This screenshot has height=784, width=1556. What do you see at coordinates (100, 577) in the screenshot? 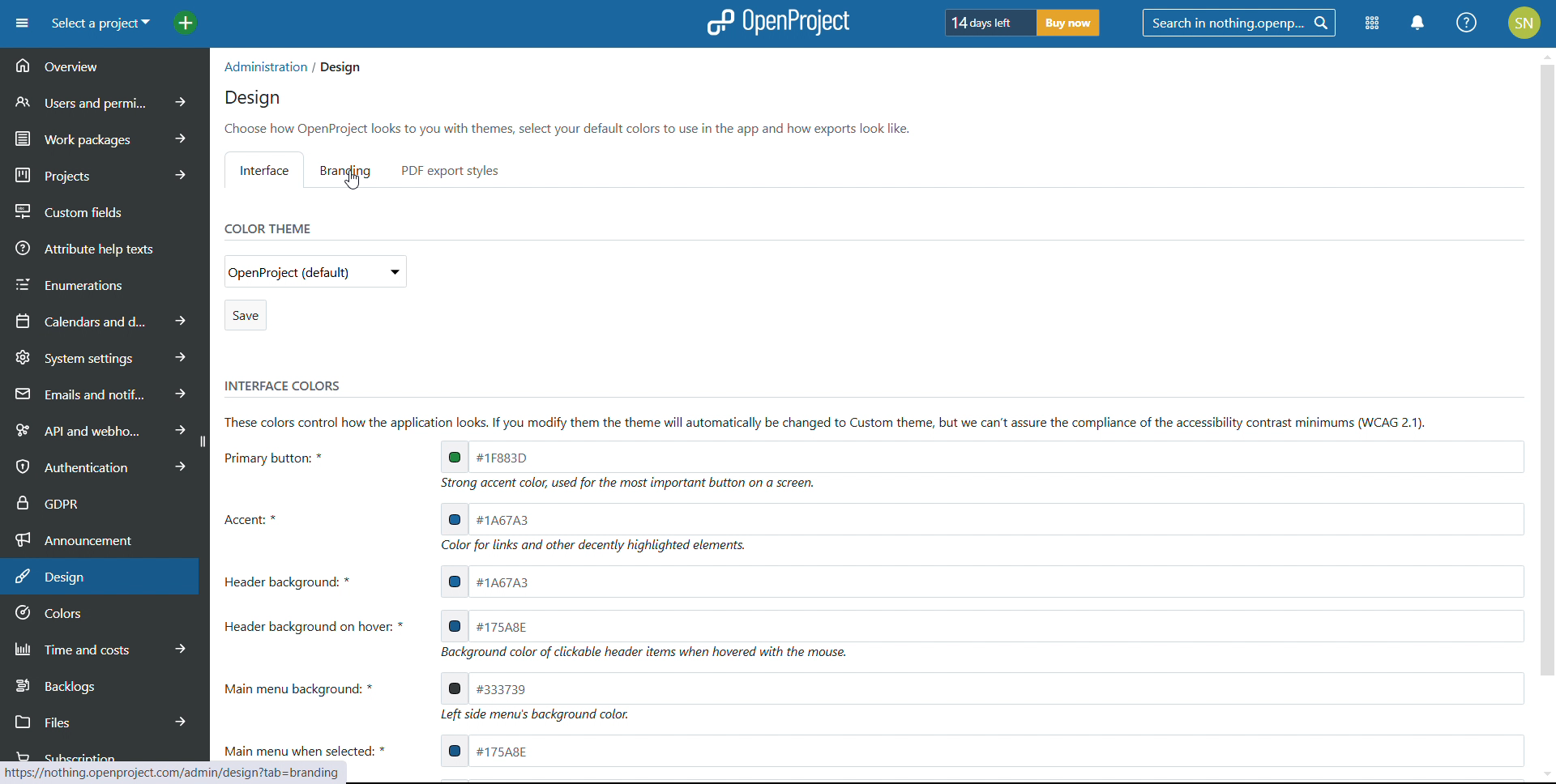
I see `design selected` at bounding box center [100, 577].